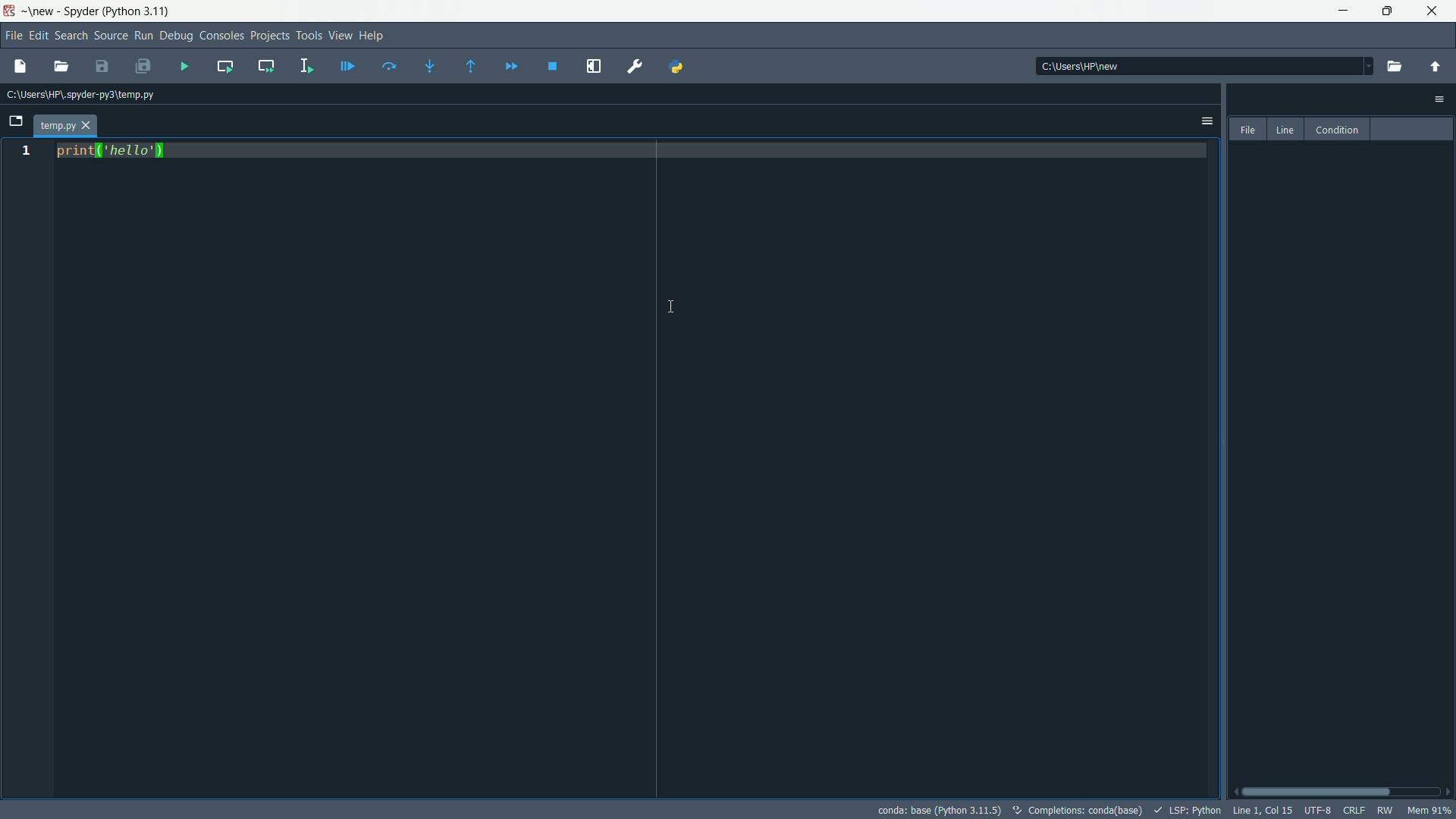 This screenshot has height=819, width=1456. I want to click on edit menu, so click(38, 36).